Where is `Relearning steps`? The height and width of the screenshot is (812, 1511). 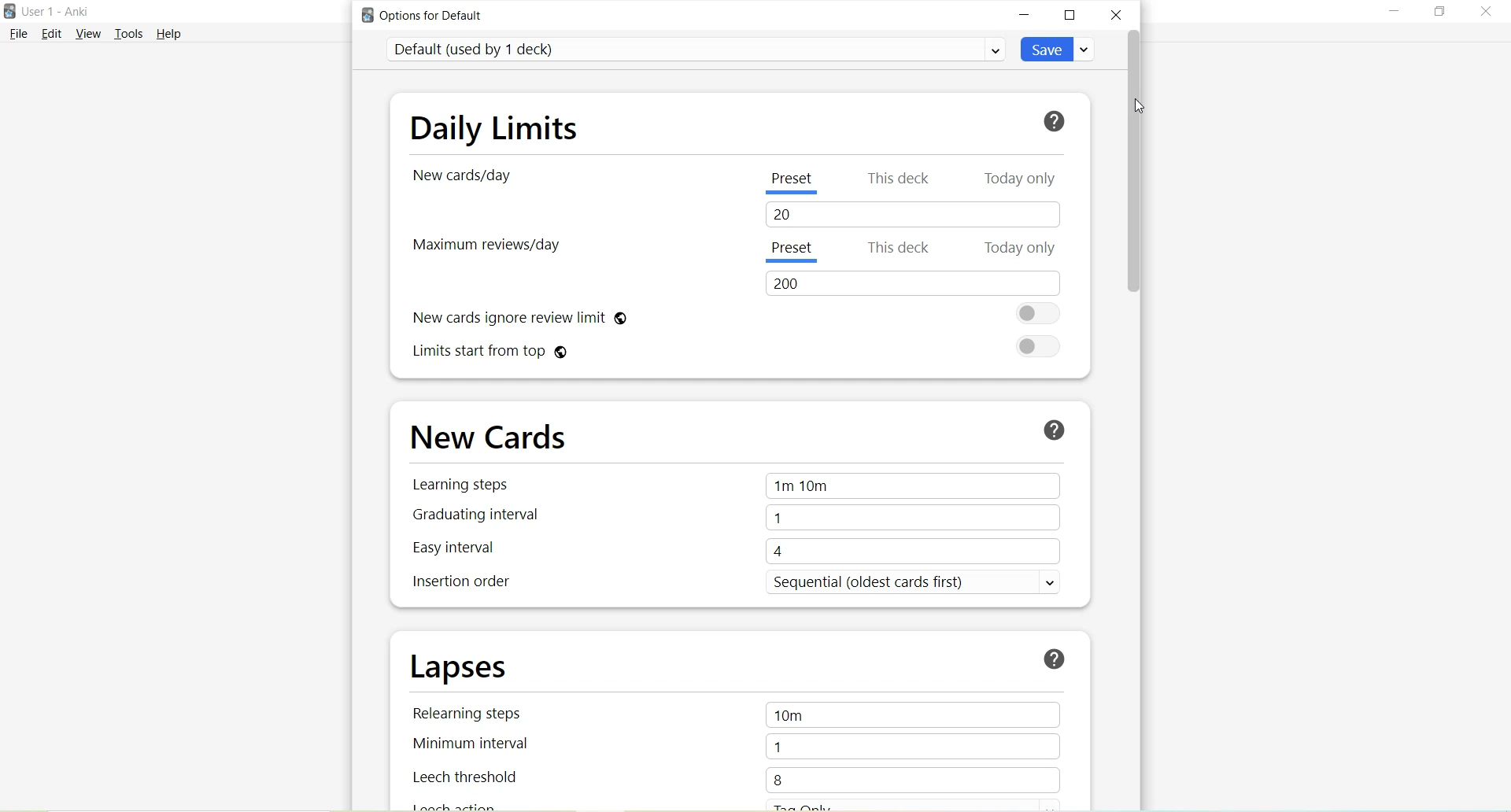 Relearning steps is located at coordinates (473, 714).